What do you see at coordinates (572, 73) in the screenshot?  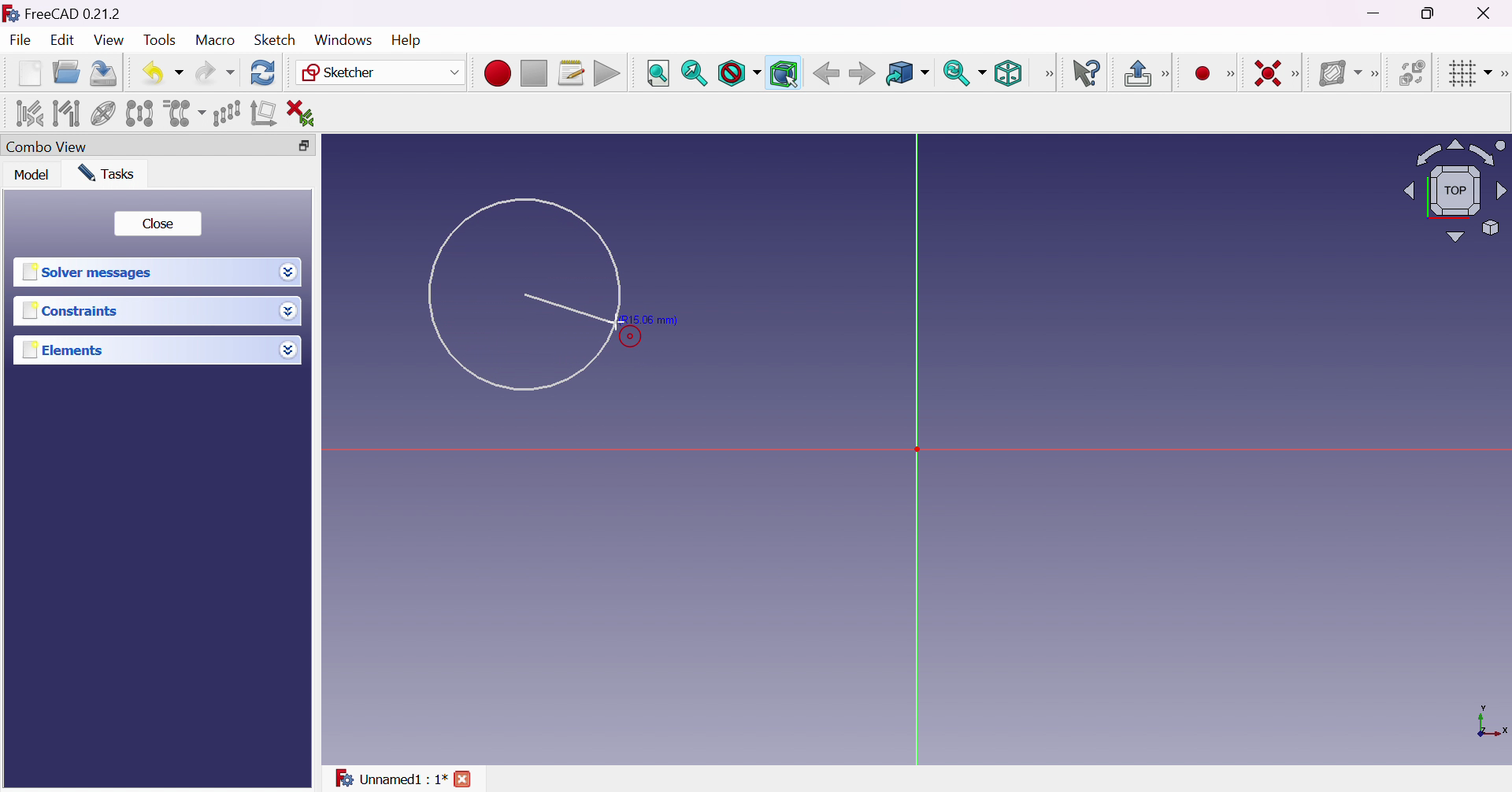 I see `Macros` at bounding box center [572, 73].